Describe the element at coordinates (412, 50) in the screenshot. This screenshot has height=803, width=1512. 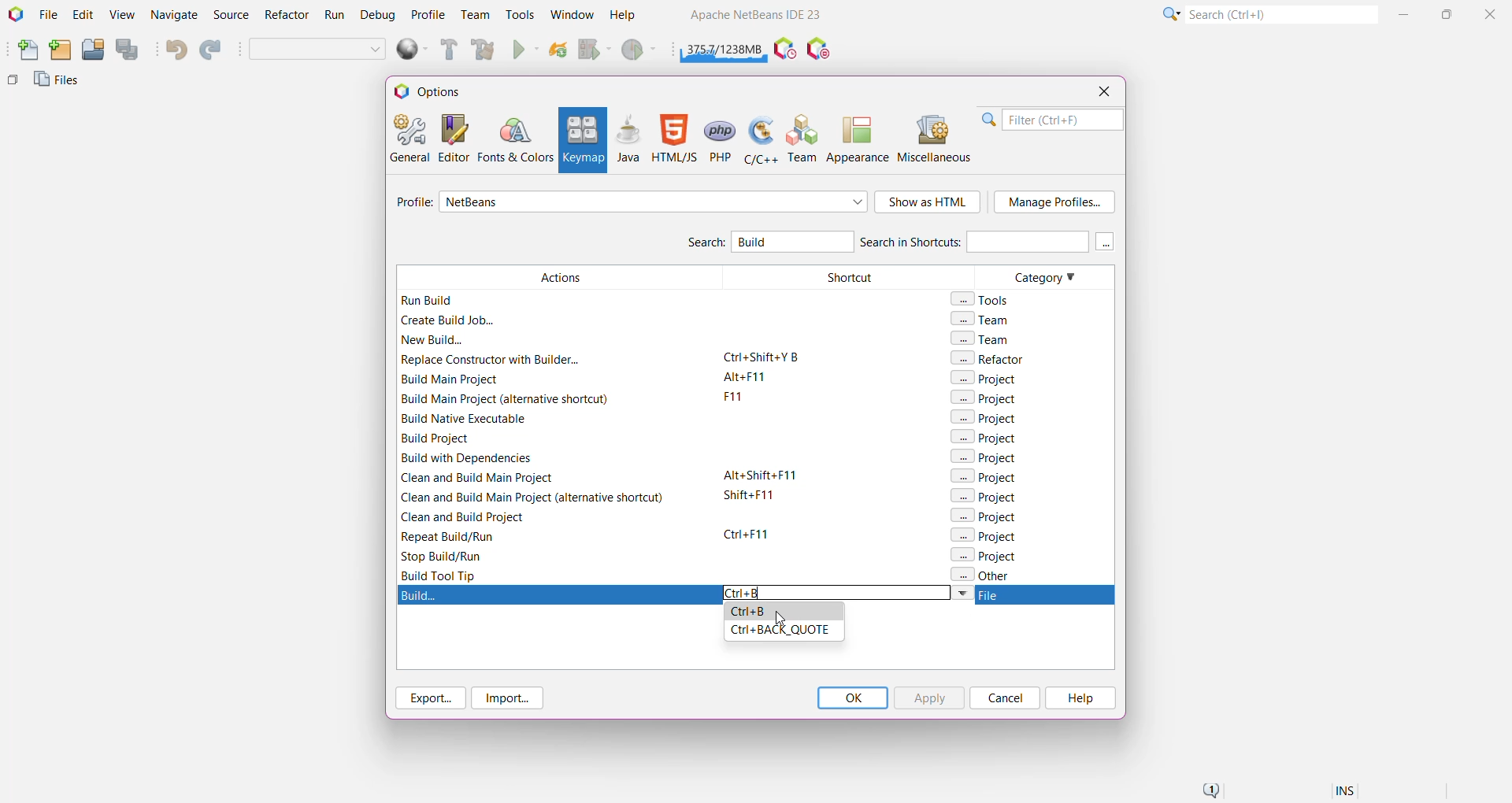
I see `` at that location.